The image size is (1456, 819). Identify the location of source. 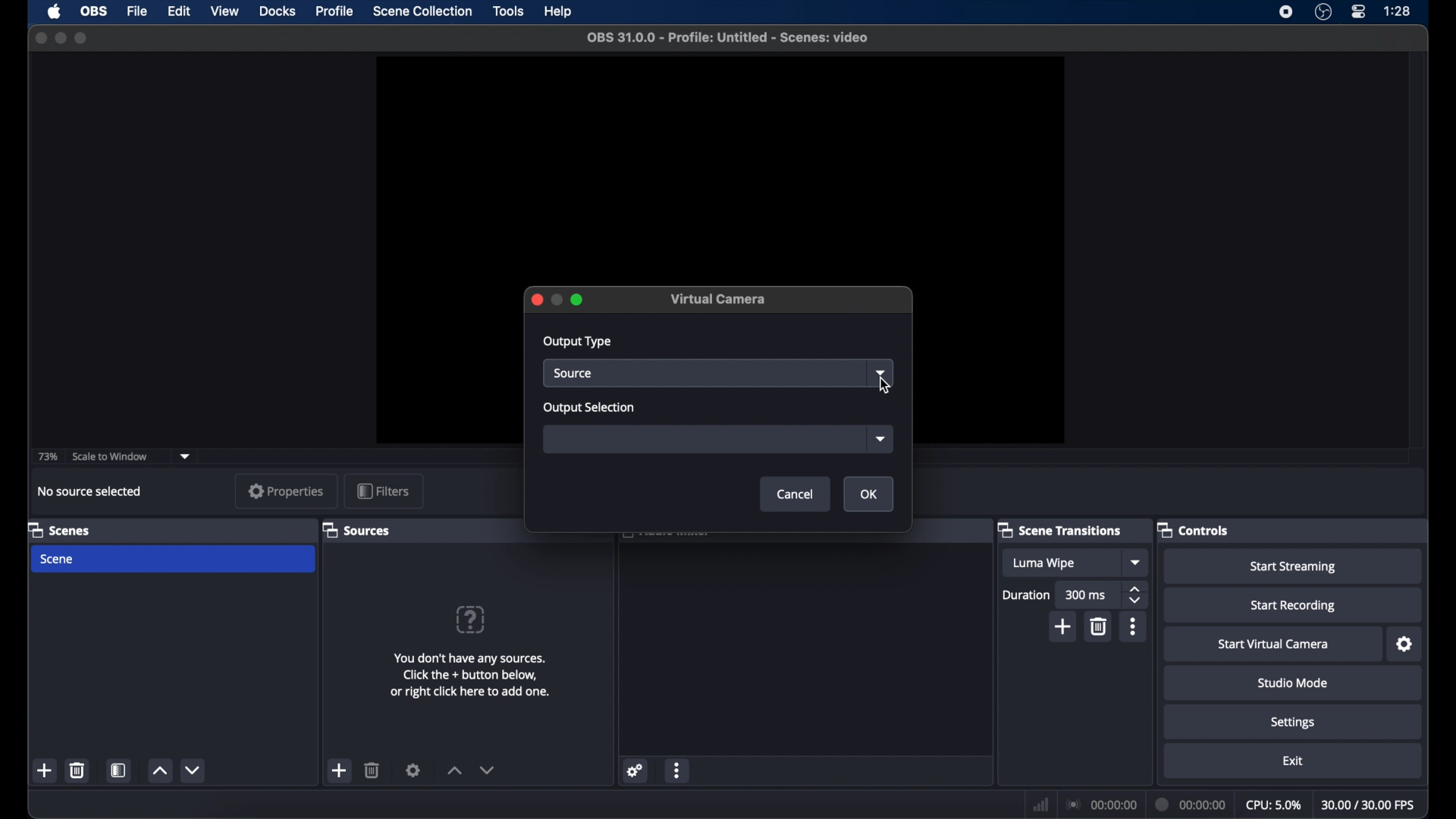
(706, 373).